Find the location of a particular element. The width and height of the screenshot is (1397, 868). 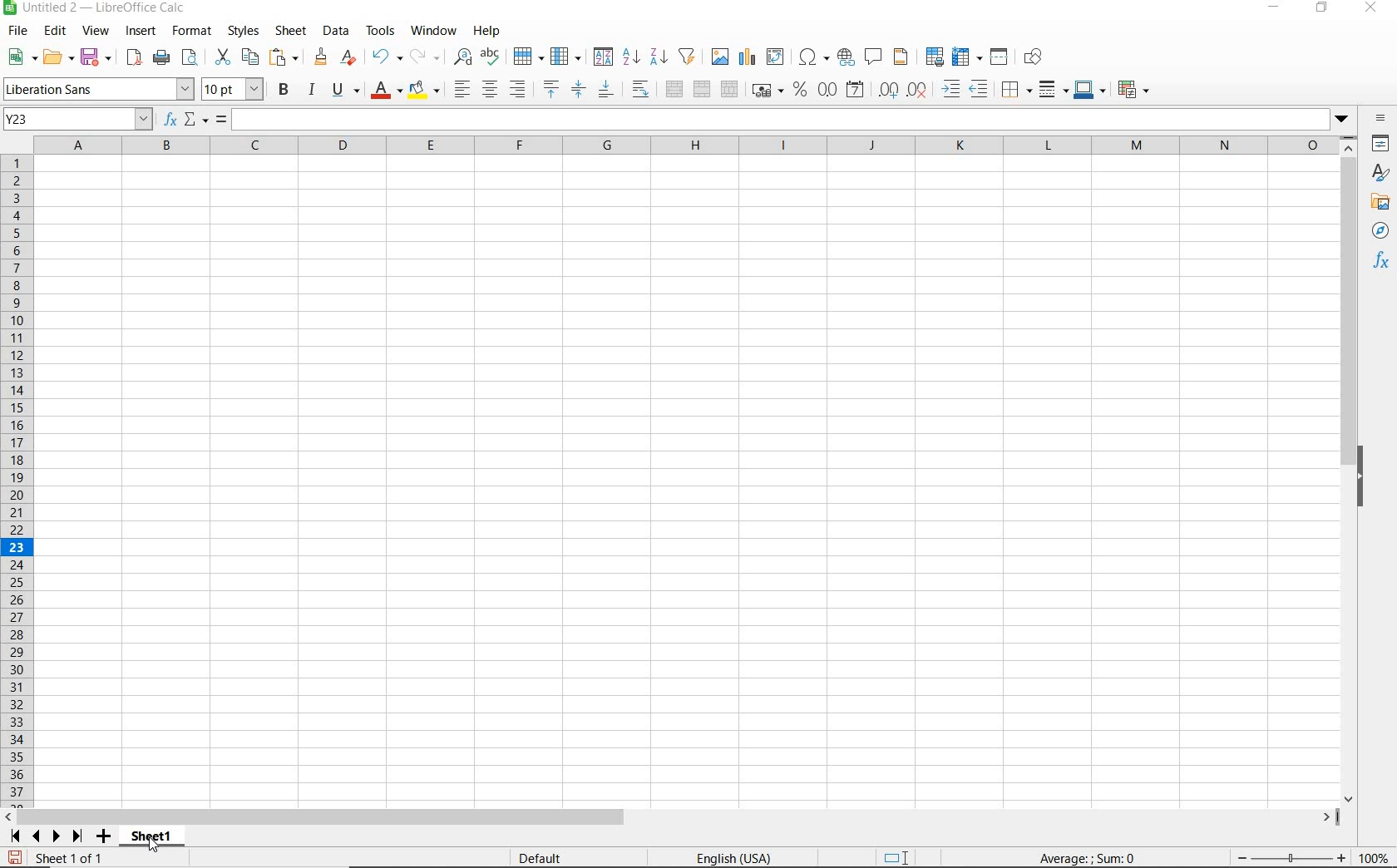

TOOLS is located at coordinates (379, 31).